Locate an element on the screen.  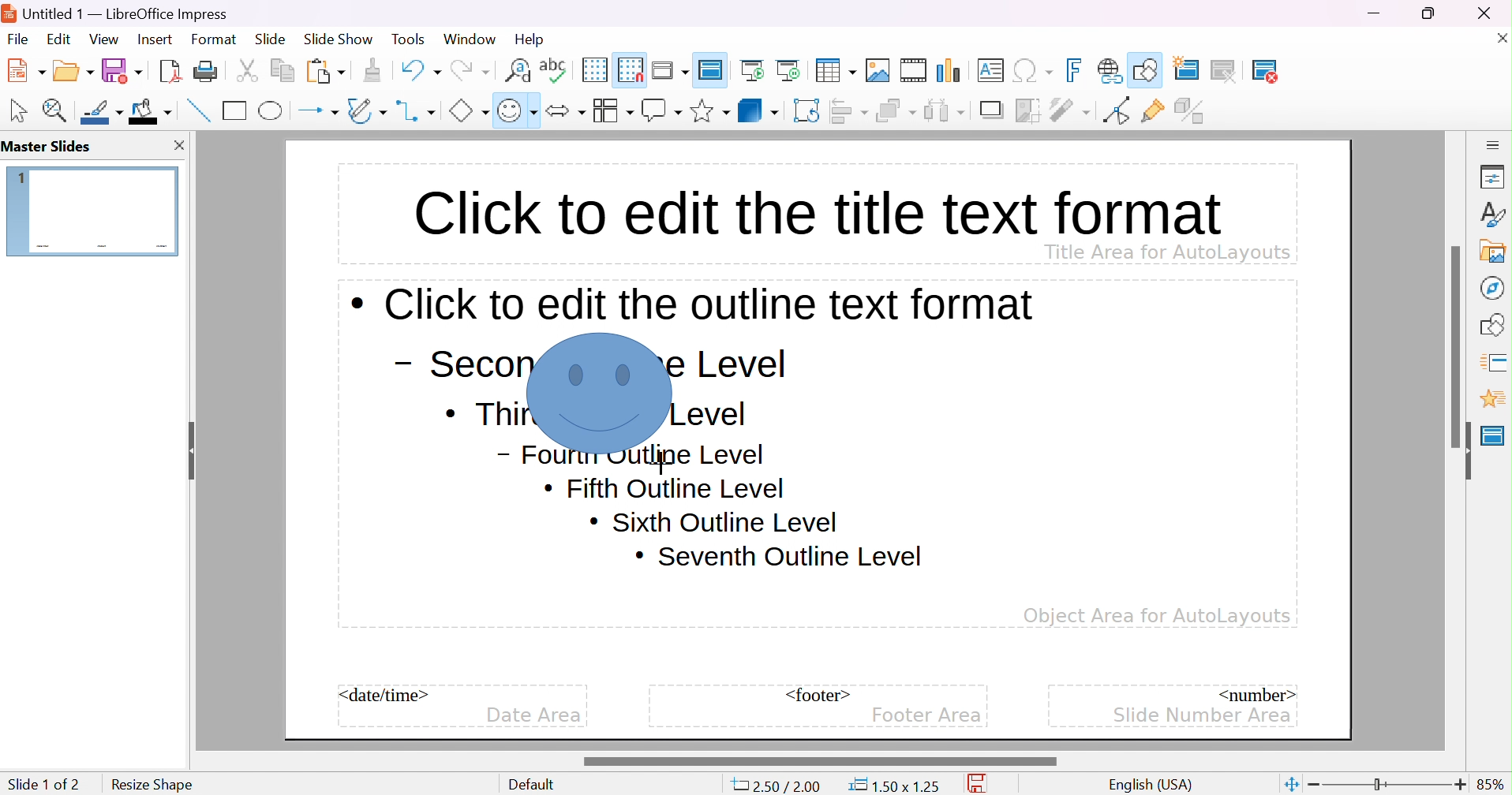
curves and polygons is located at coordinates (366, 110).